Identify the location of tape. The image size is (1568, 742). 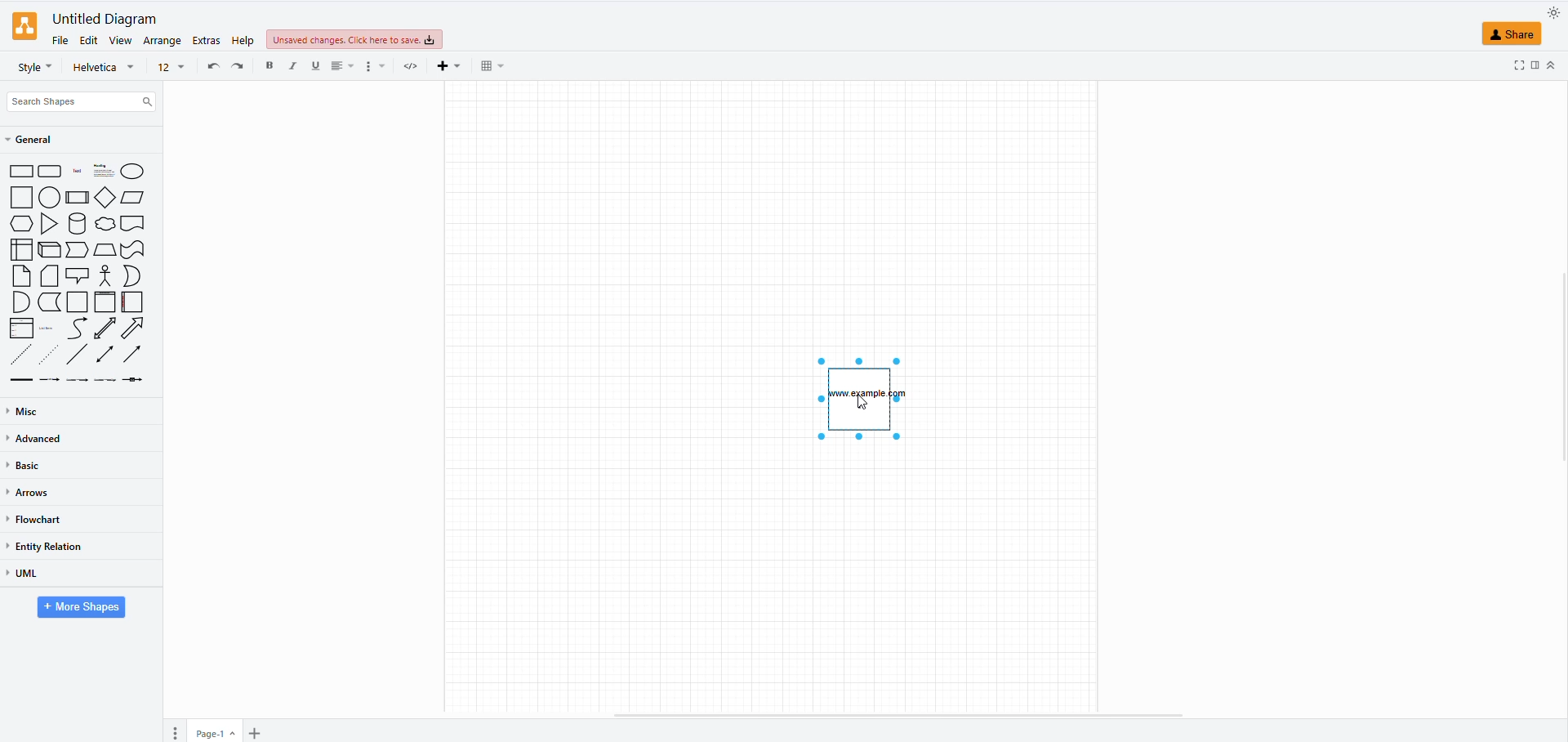
(134, 250).